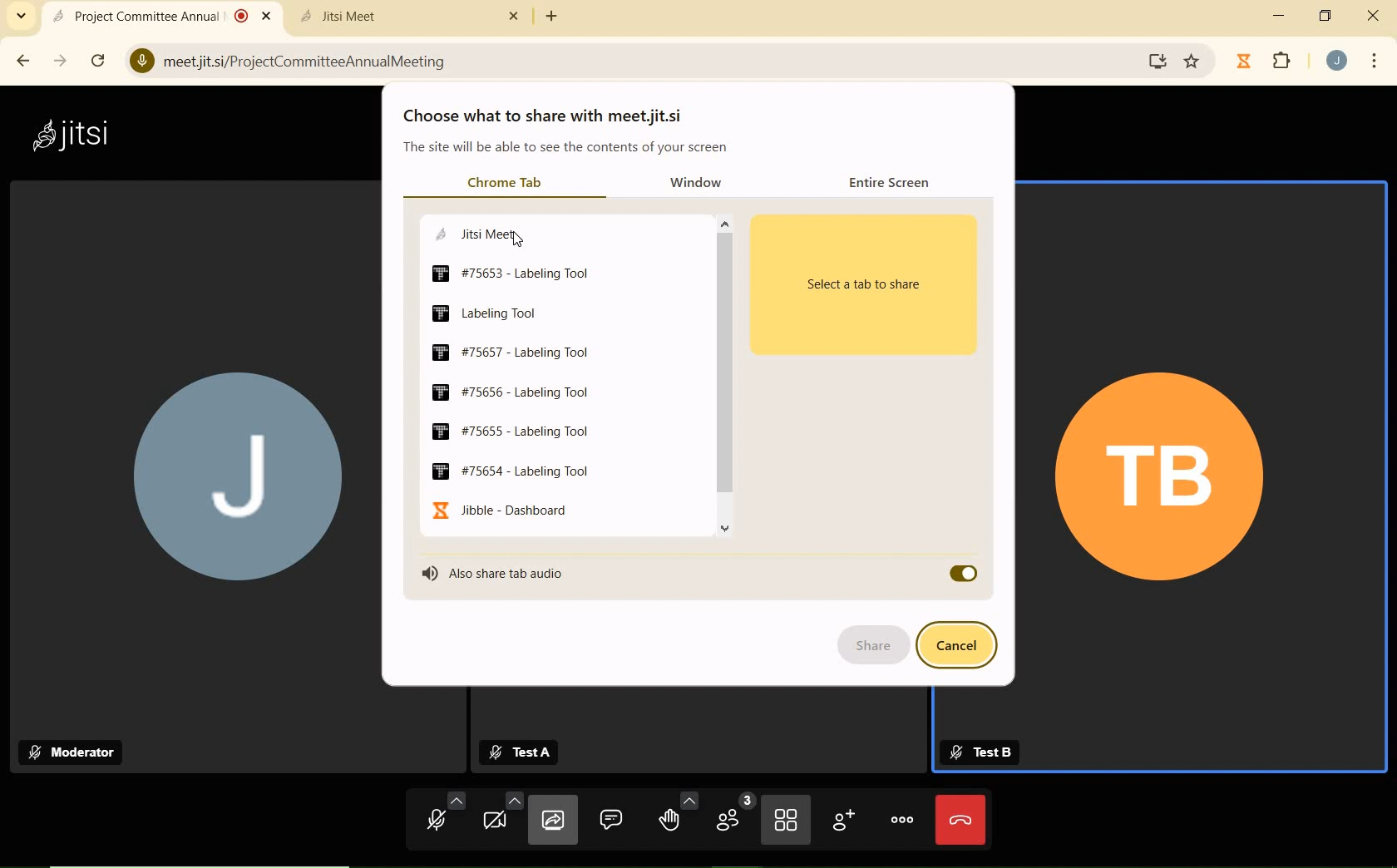 This screenshot has height=868, width=1397. Describe the element at coordinates (521, 390) in the screenshot. I see `| #75656 - Labeling Tool` at that location.